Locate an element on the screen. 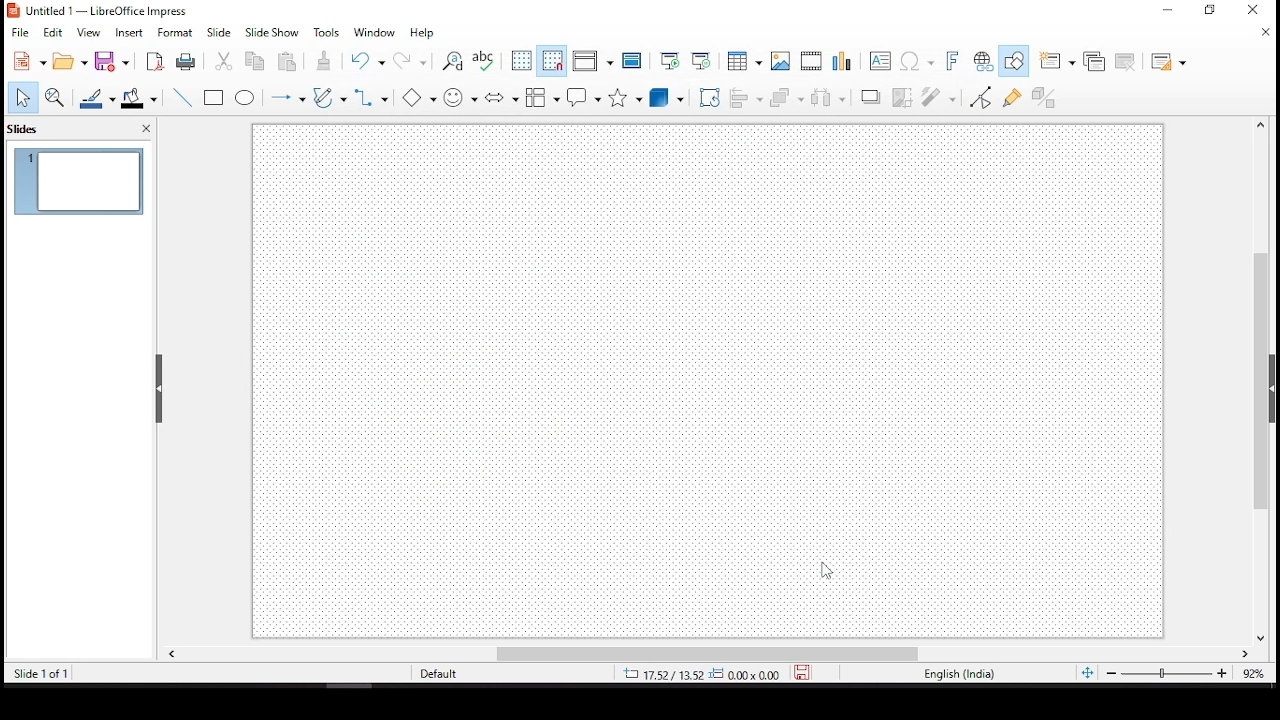 This screenshot has height=720, width=1280. line is located at coordinates (183, 96).